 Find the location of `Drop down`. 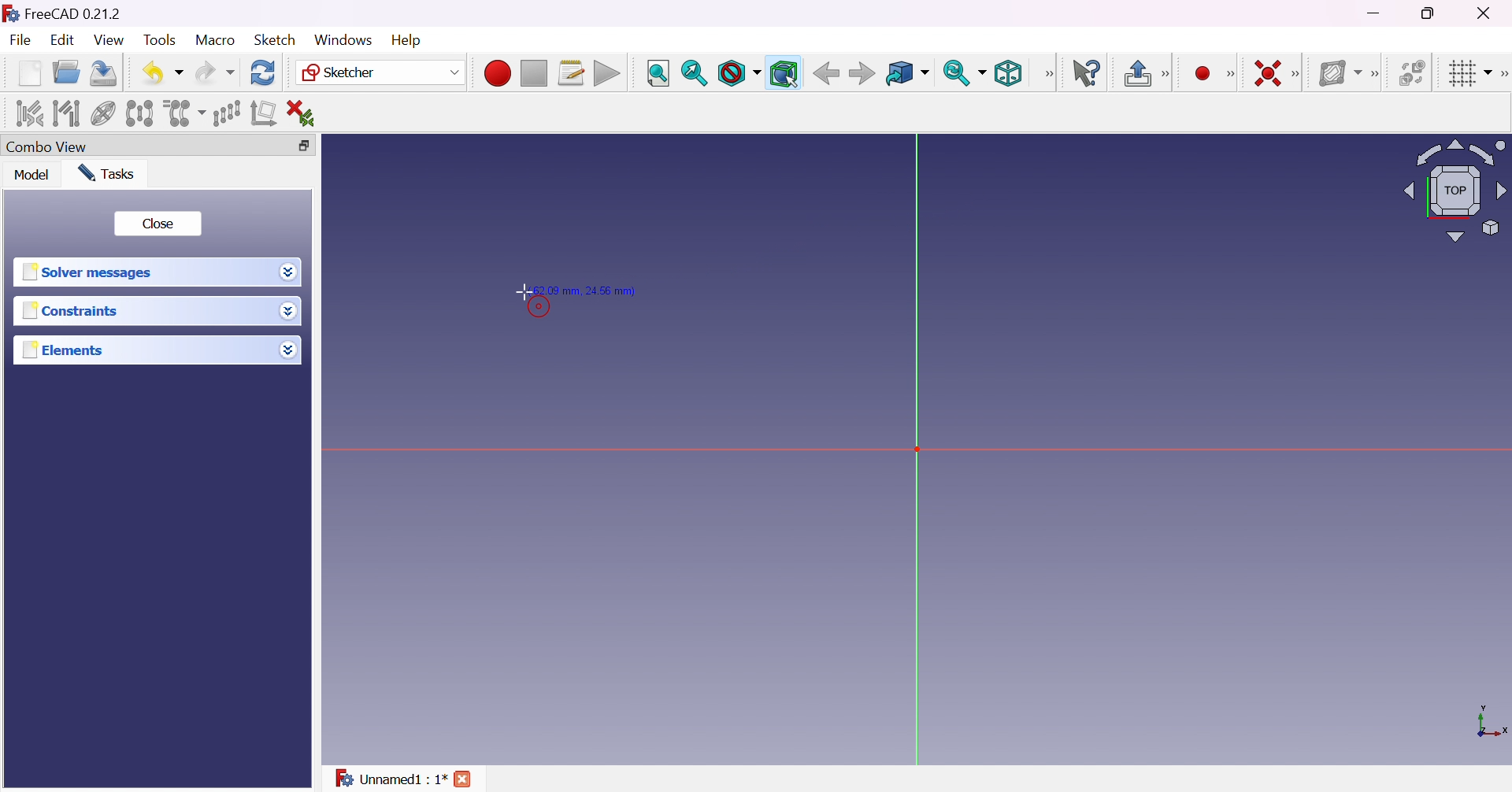

Drop down is located at coordinates (288, 350).